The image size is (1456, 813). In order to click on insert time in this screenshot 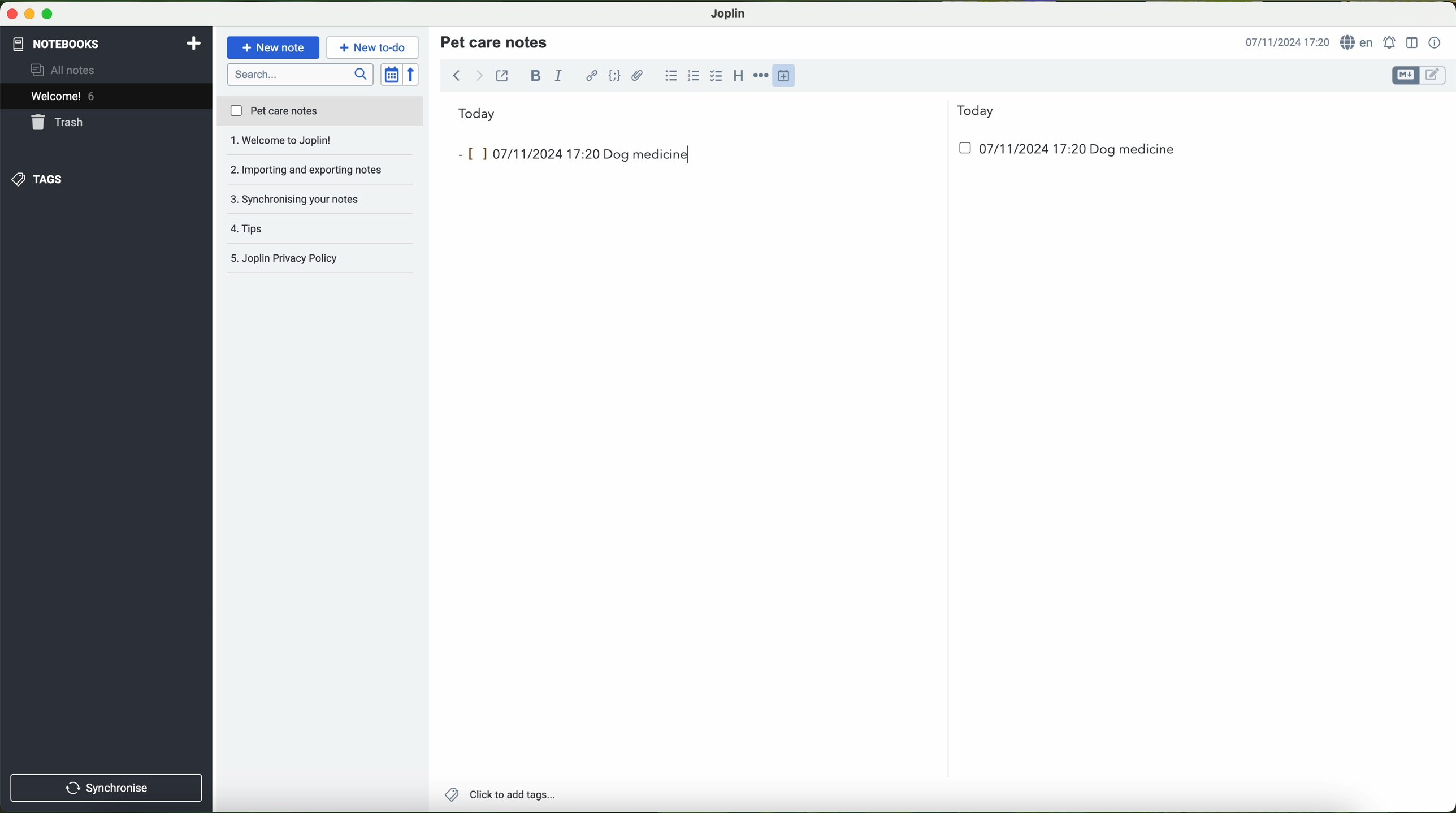, I will do `click(789, 75)`.